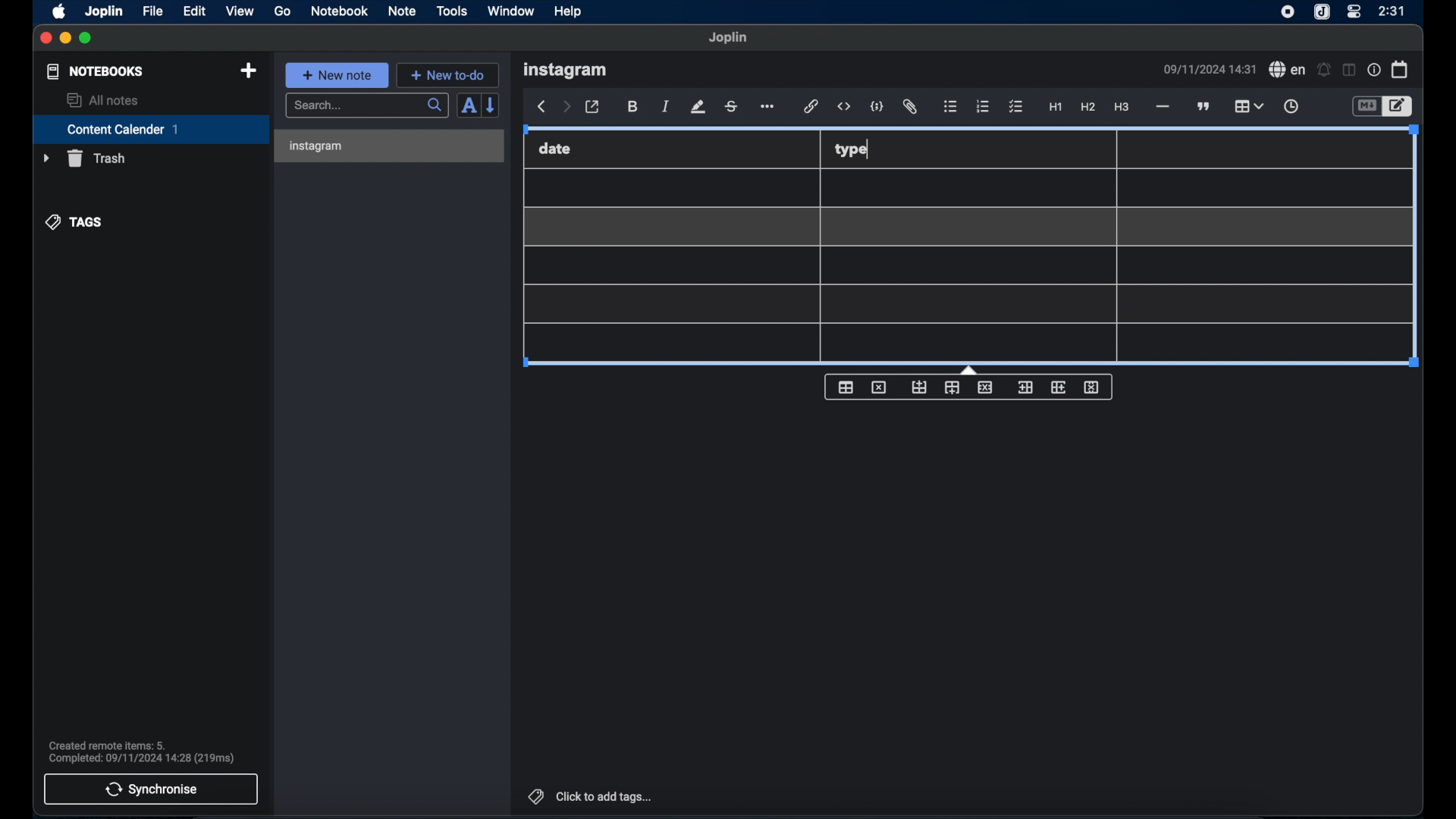  I want to click on new note, so click(337, 75).